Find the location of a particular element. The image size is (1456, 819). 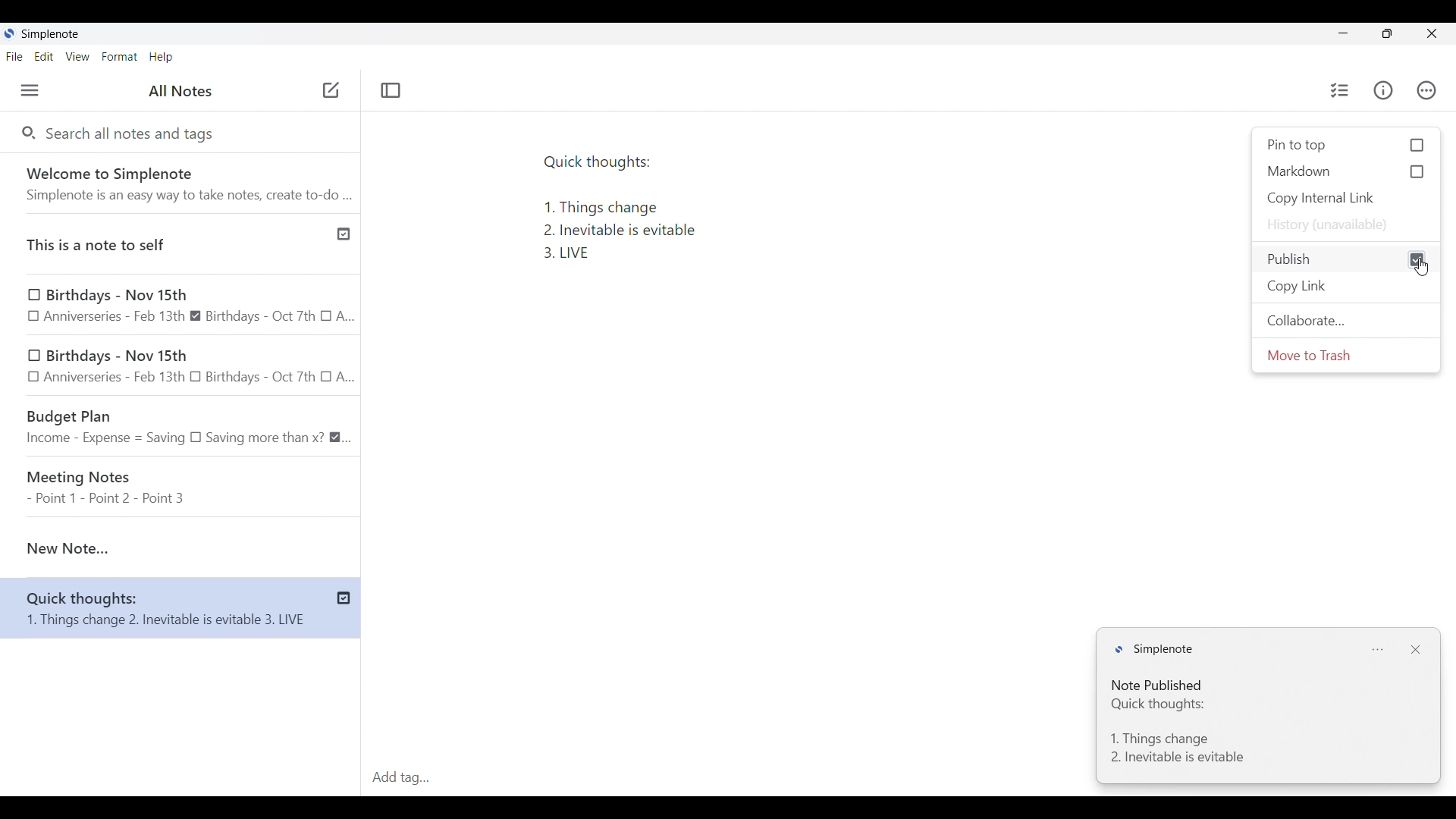

Toggle focus mode is located at coordinates (391, 90).